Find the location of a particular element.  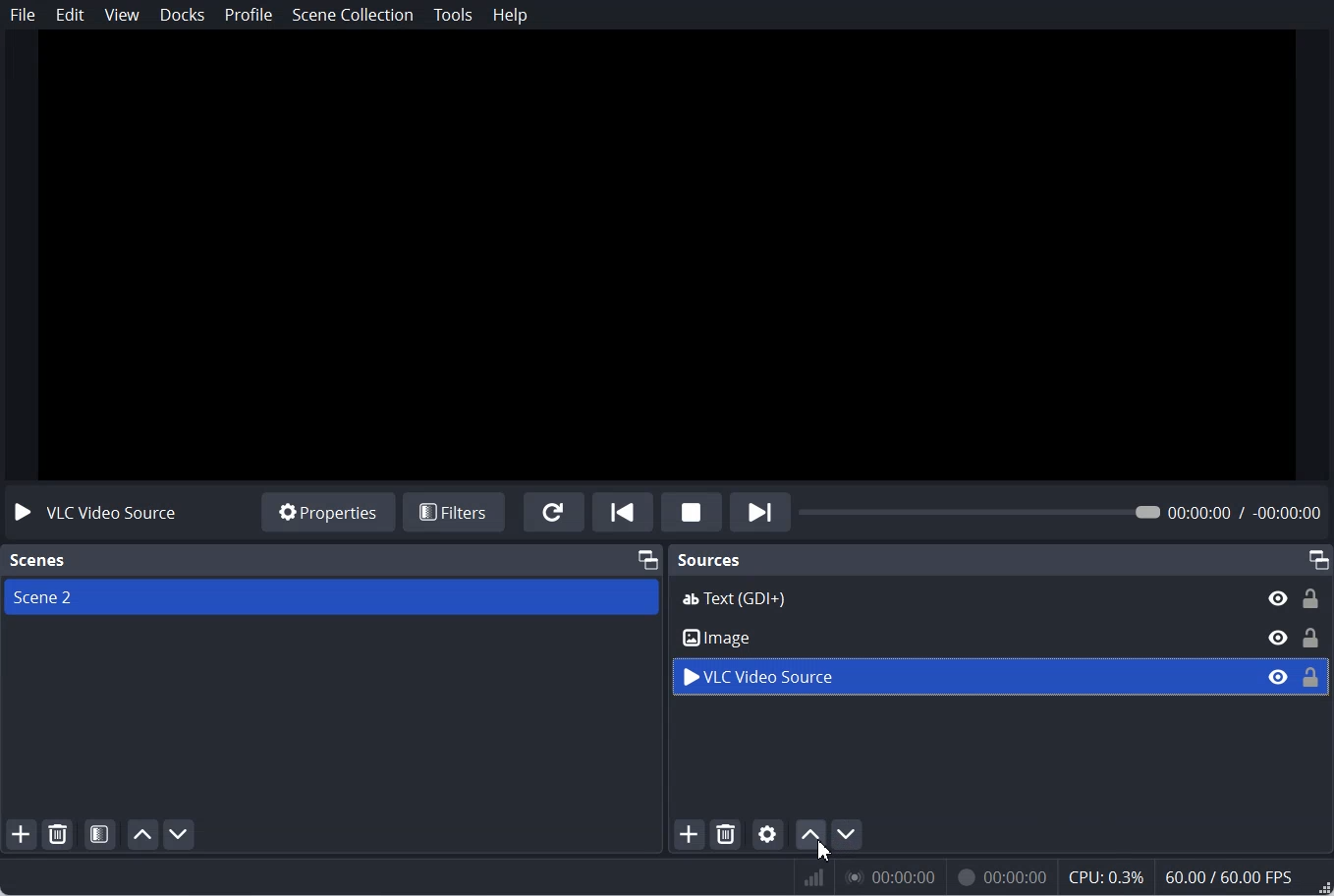

View is located at coordinates (122, 15).